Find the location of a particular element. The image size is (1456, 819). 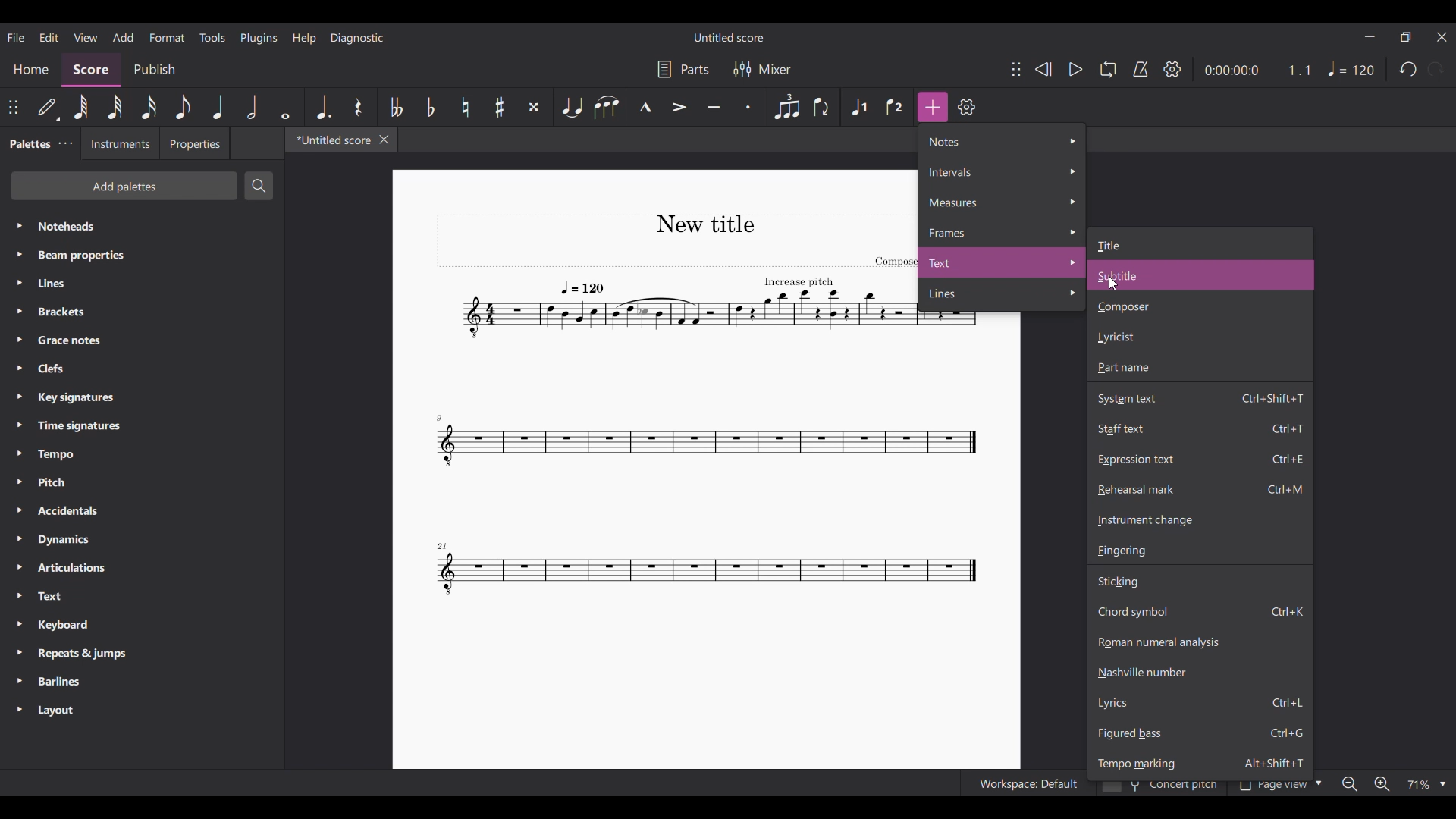

Title is located at coordinates (1202, 243).